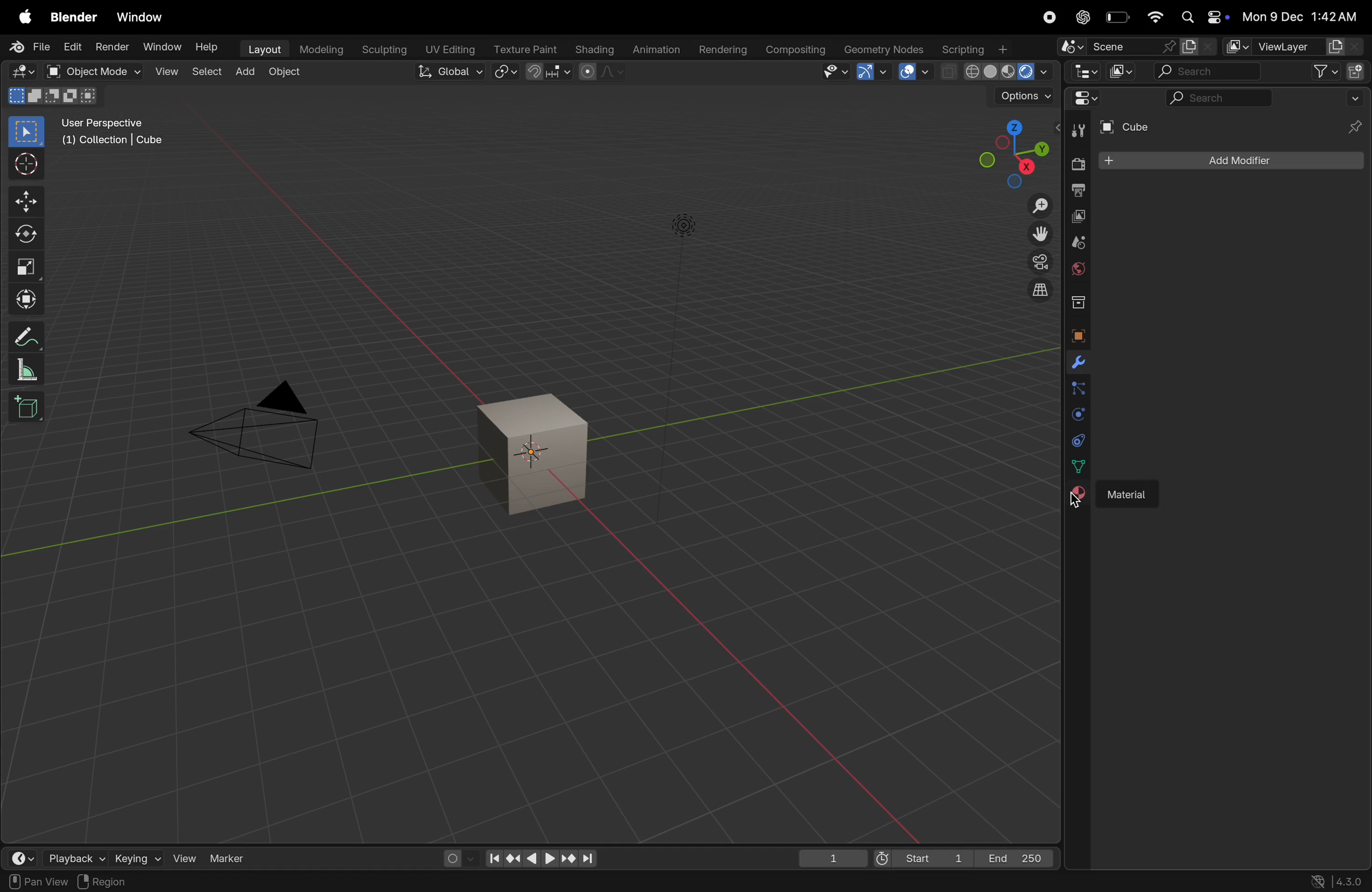 The width and height of the screenshot is (1372, 892). What do you see at coordinates (1076, 414) in the screenshot?
I see `physics` at bounding box center [1076, 414].